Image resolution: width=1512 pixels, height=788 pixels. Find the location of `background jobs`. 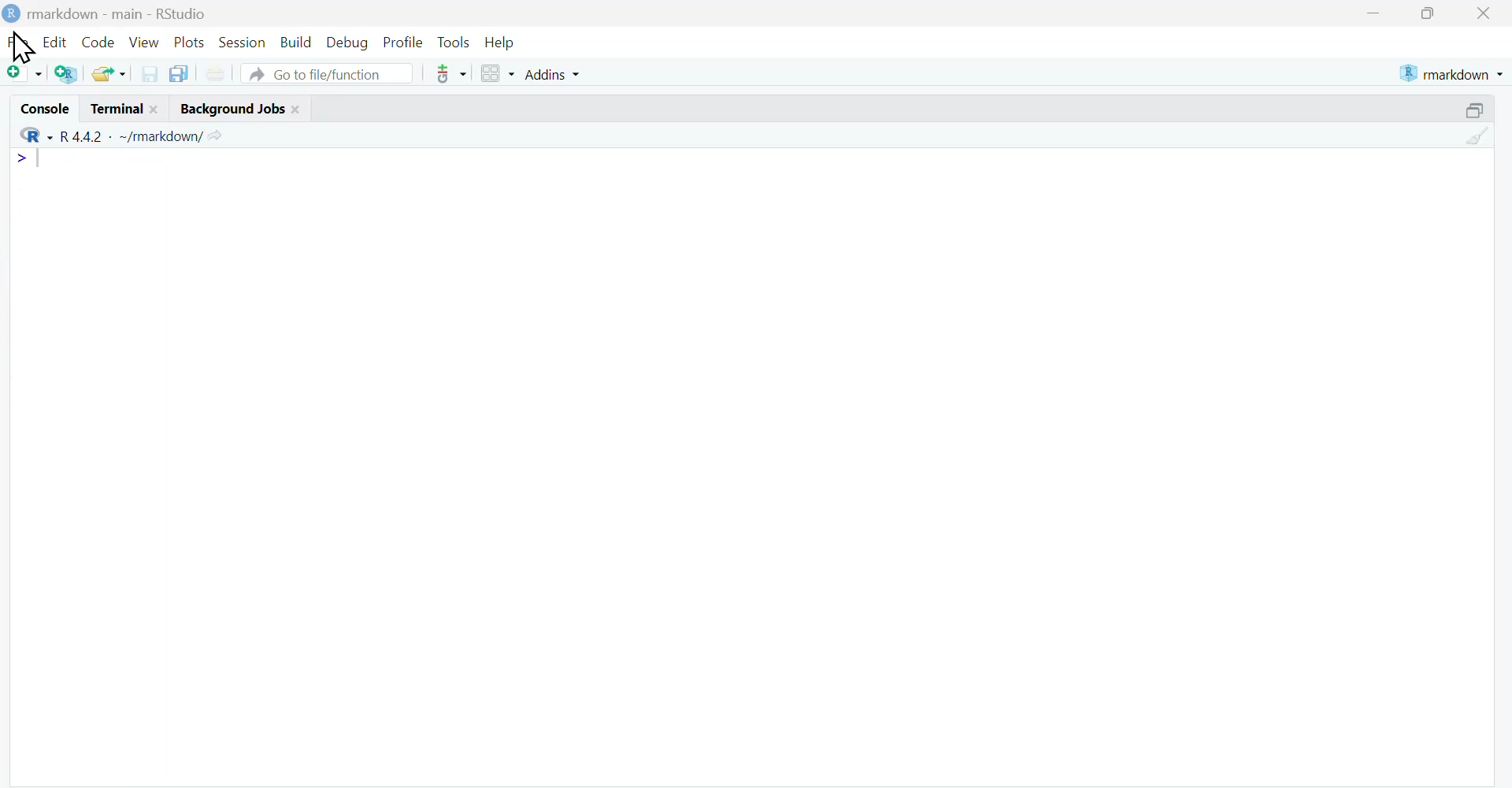

background jobs is located at coordinates (236, 110).